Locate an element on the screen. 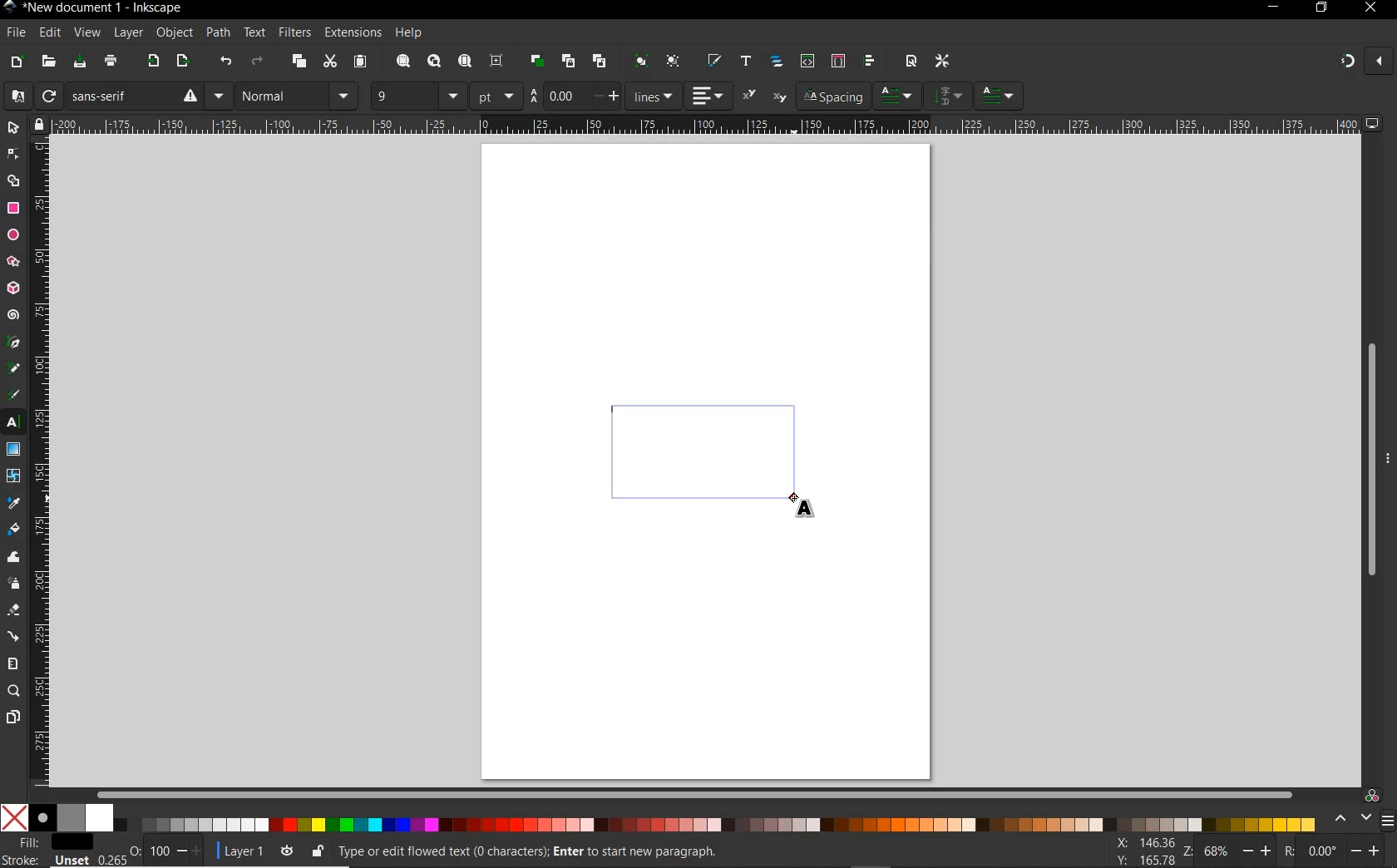  redo is located at coordinates (257, 63).